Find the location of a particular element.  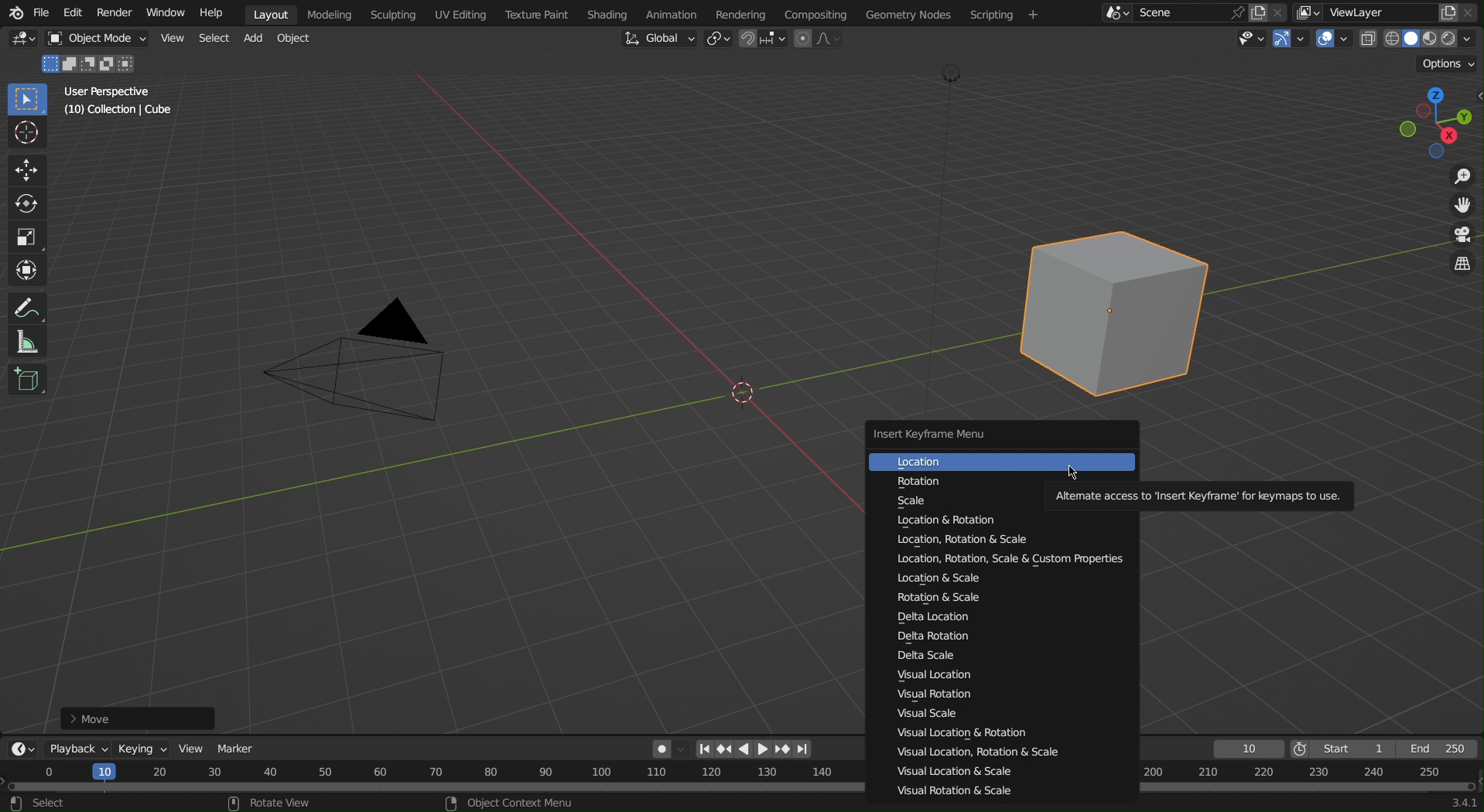

Close is located at coordinates (1473, 12).